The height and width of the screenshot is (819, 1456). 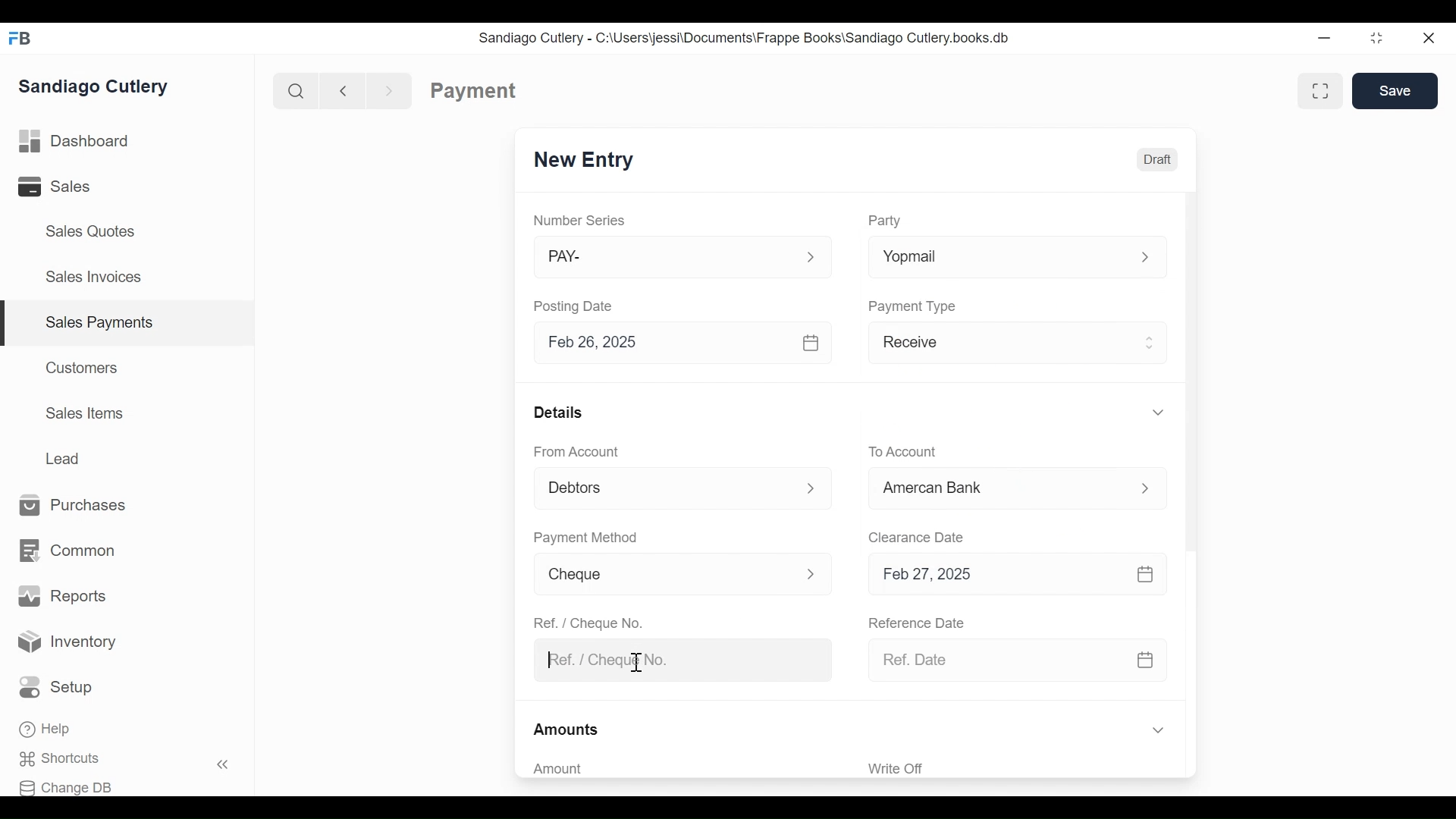 What do you see at coordinates (68, 642) in the screenshot?
I see `Inventory` at bounding box center [68, 642].